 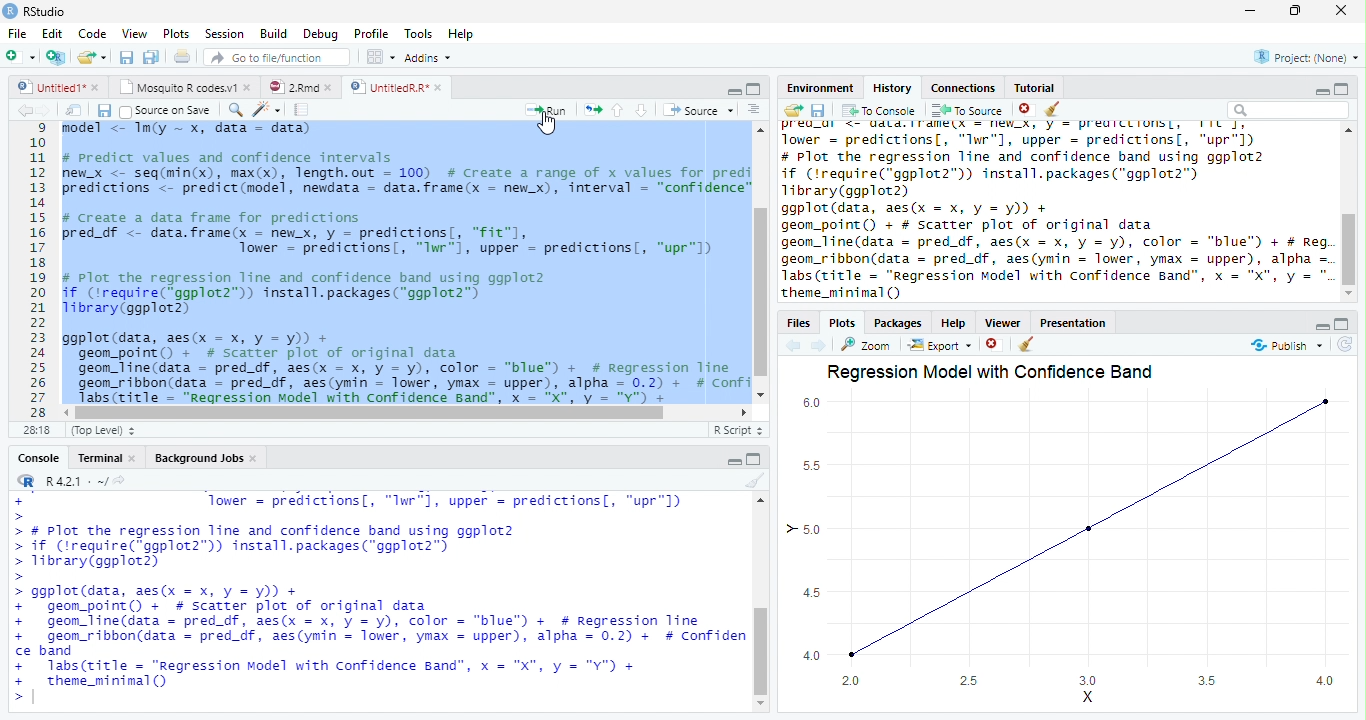 What do you see at coordinates (844, 322) in the screenshot?
I see `Plots` at bounding box center [844, 322].